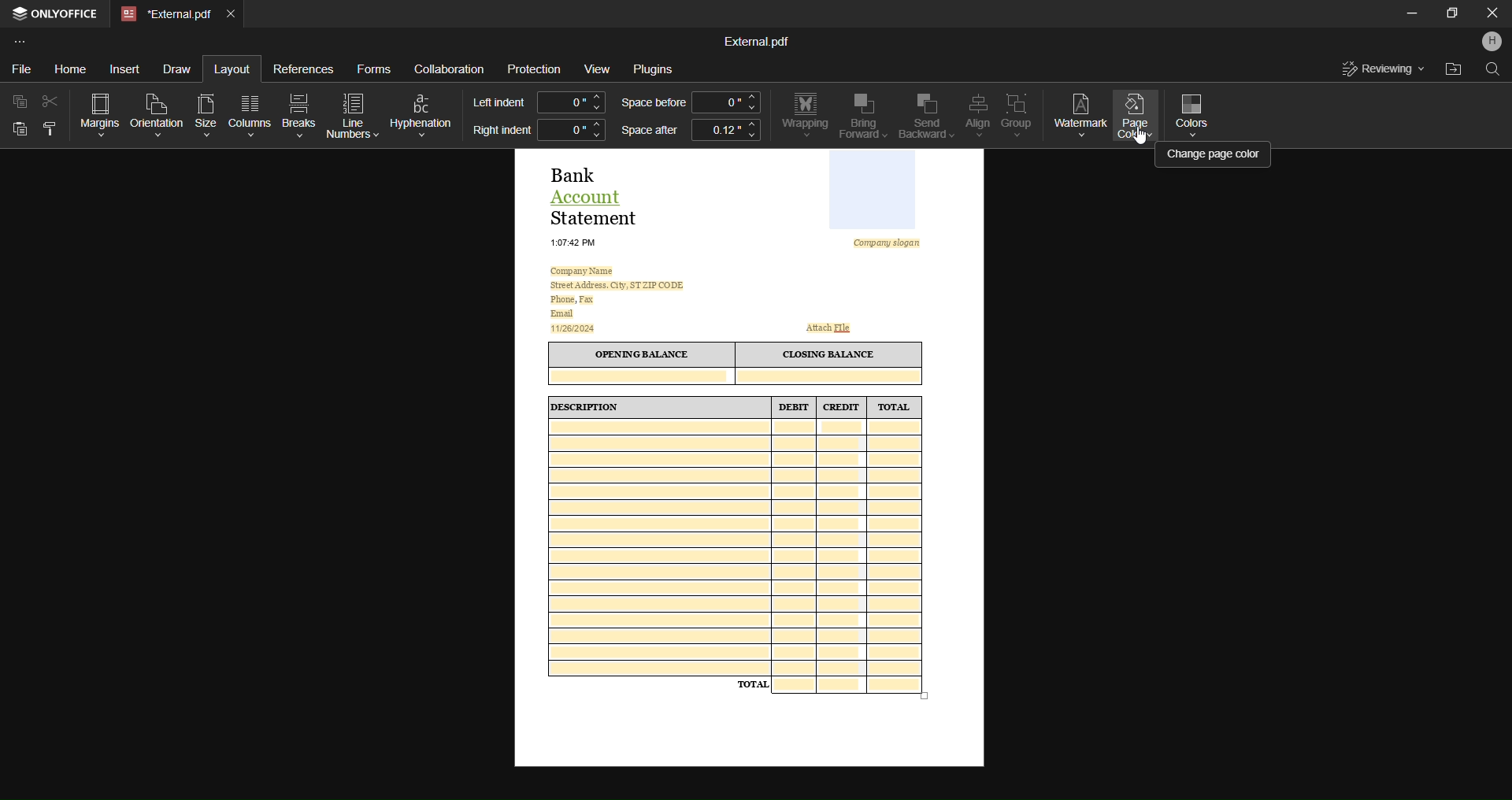  I want to click on Space After, so click(648, 132).